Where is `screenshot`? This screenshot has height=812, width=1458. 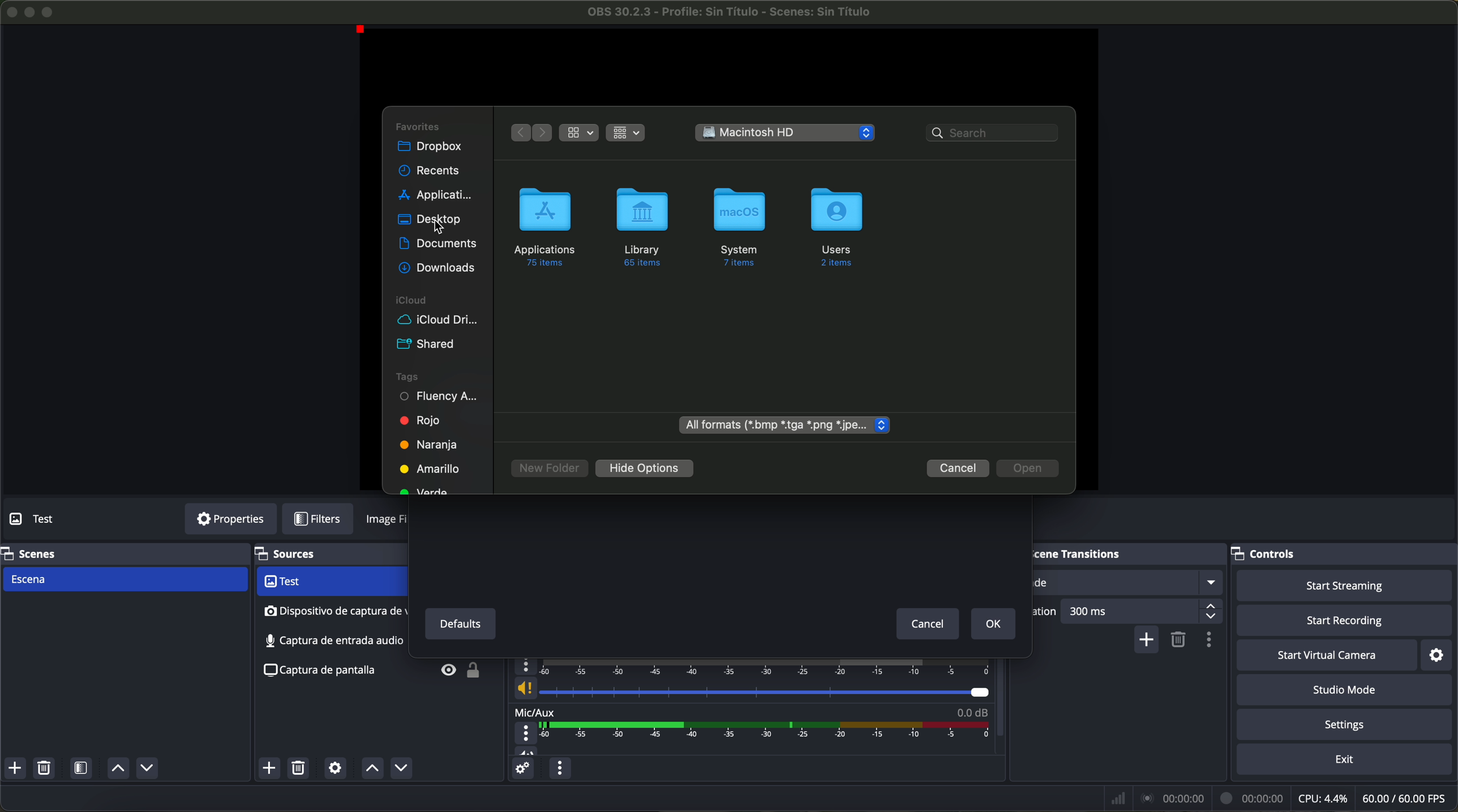 screenshot is located at coordinates (331, 641).